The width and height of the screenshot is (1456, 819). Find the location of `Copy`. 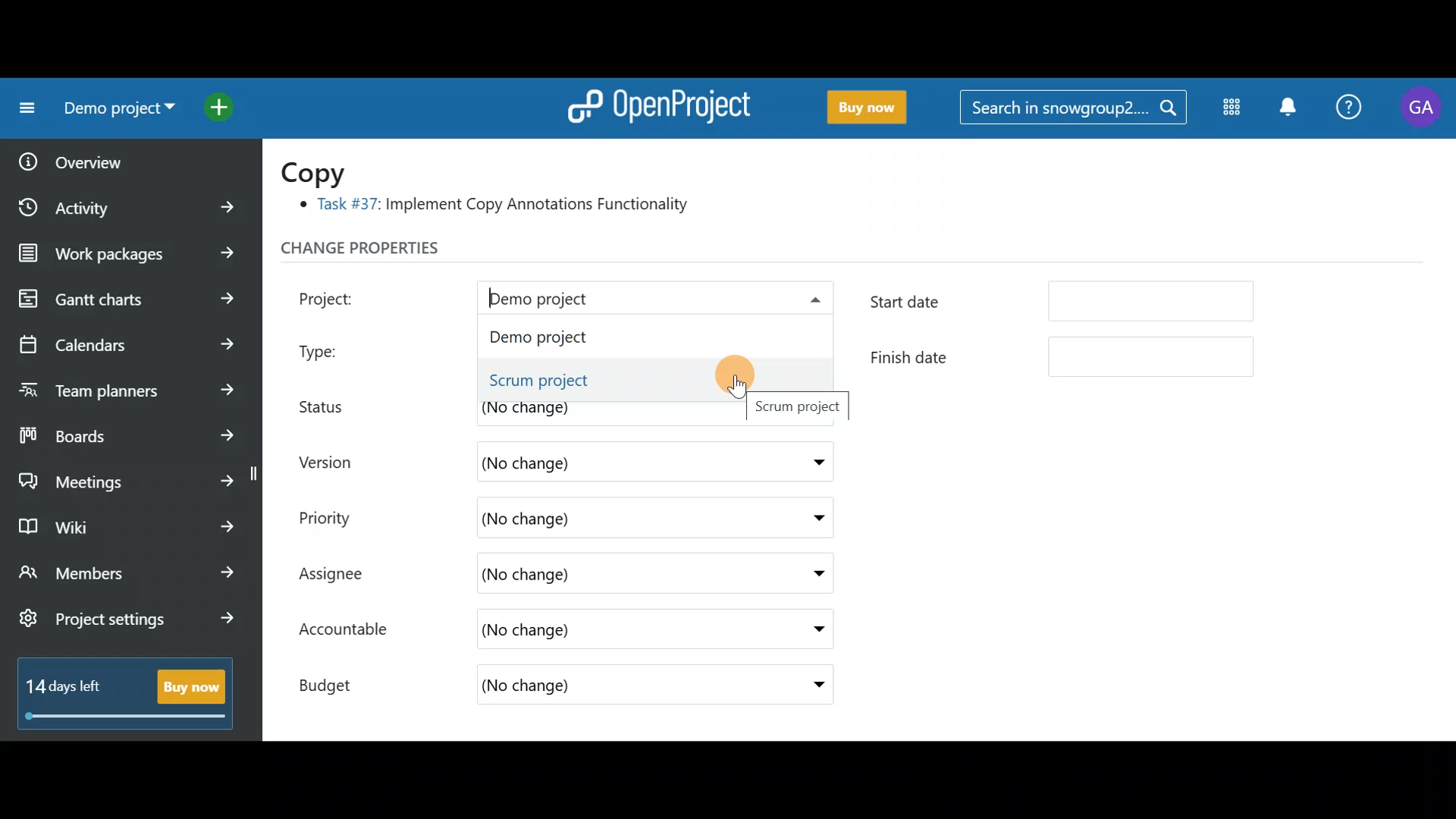

Copy is located at coordinates (323, 171).